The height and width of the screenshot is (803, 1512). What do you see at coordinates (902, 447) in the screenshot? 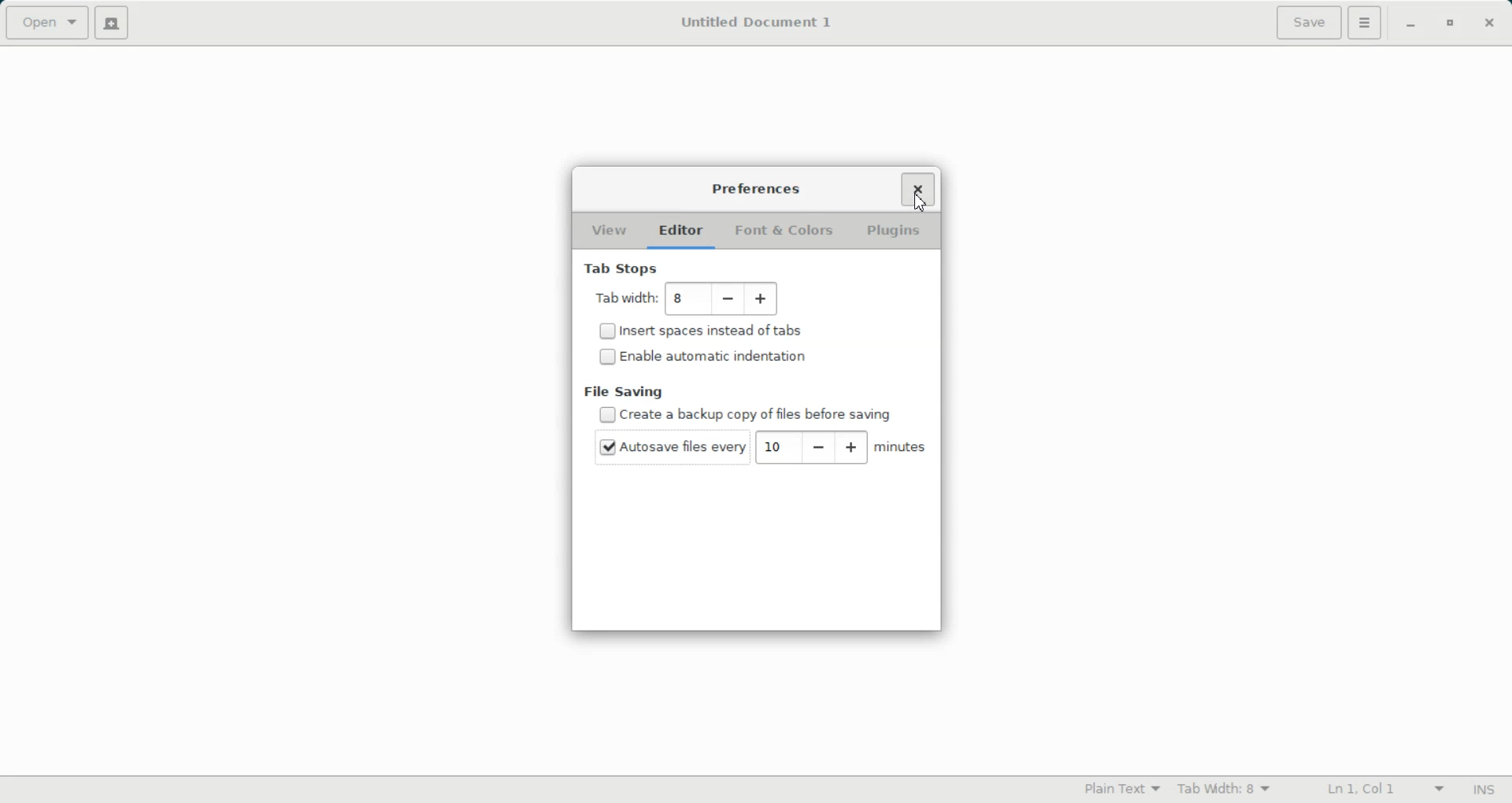
I see `minutes` at bounding box center [902, 447].